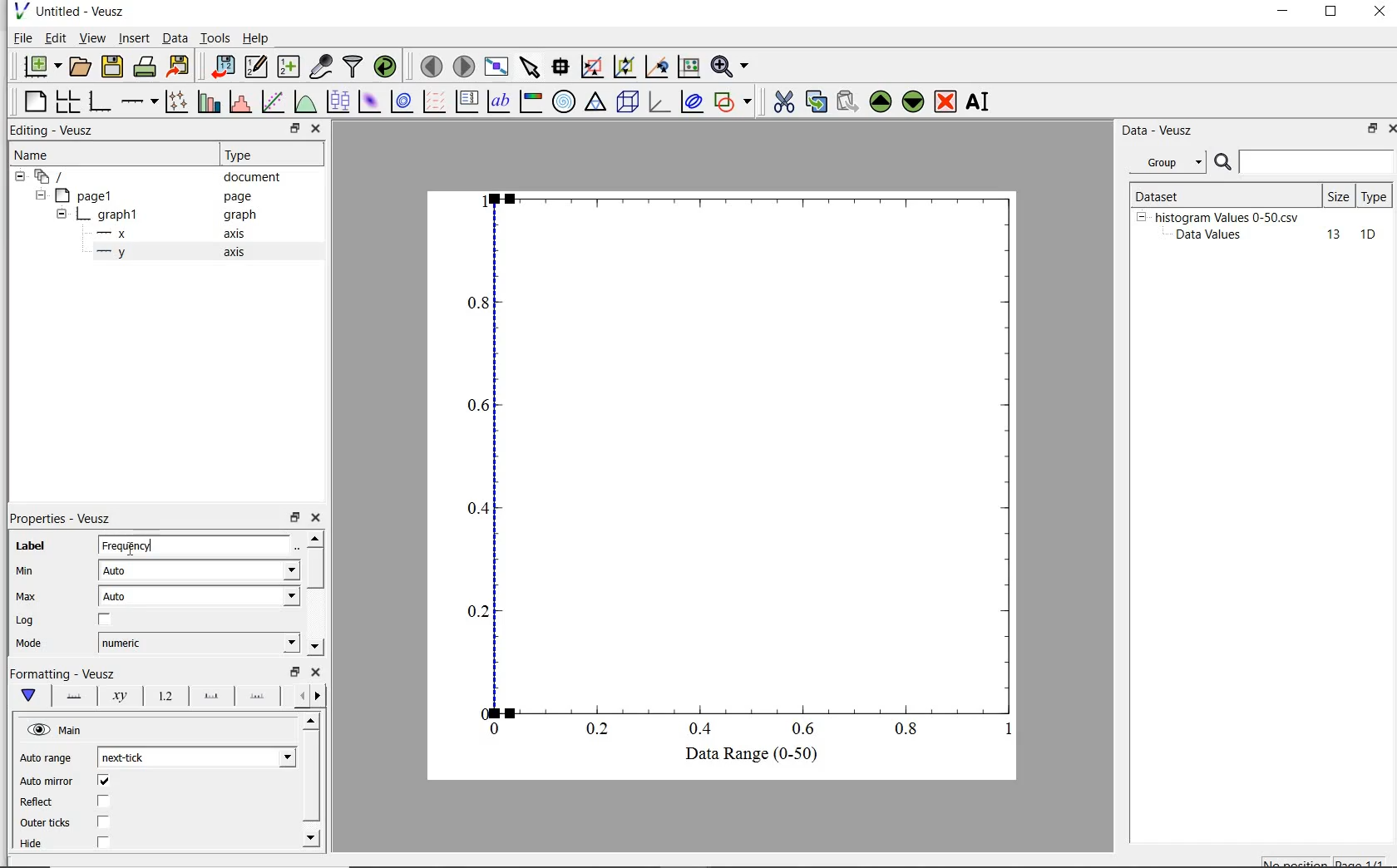  What do you see at coordinates (70, 99) in the screenshot?
I see `arrange graphs in a grid ` at bounding box center [70, 99].